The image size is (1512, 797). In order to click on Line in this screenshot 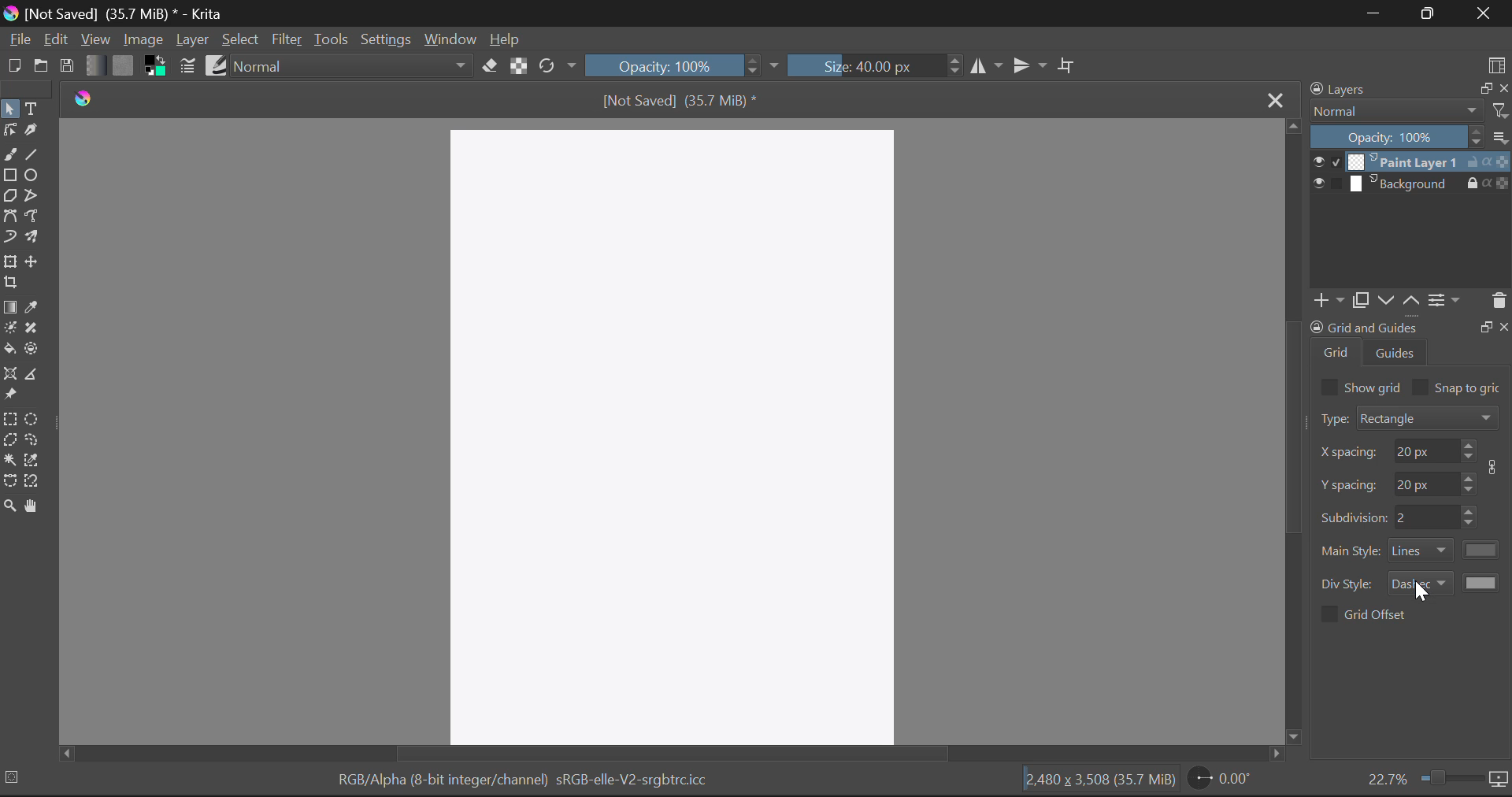, I will do `click(32, 156)`.